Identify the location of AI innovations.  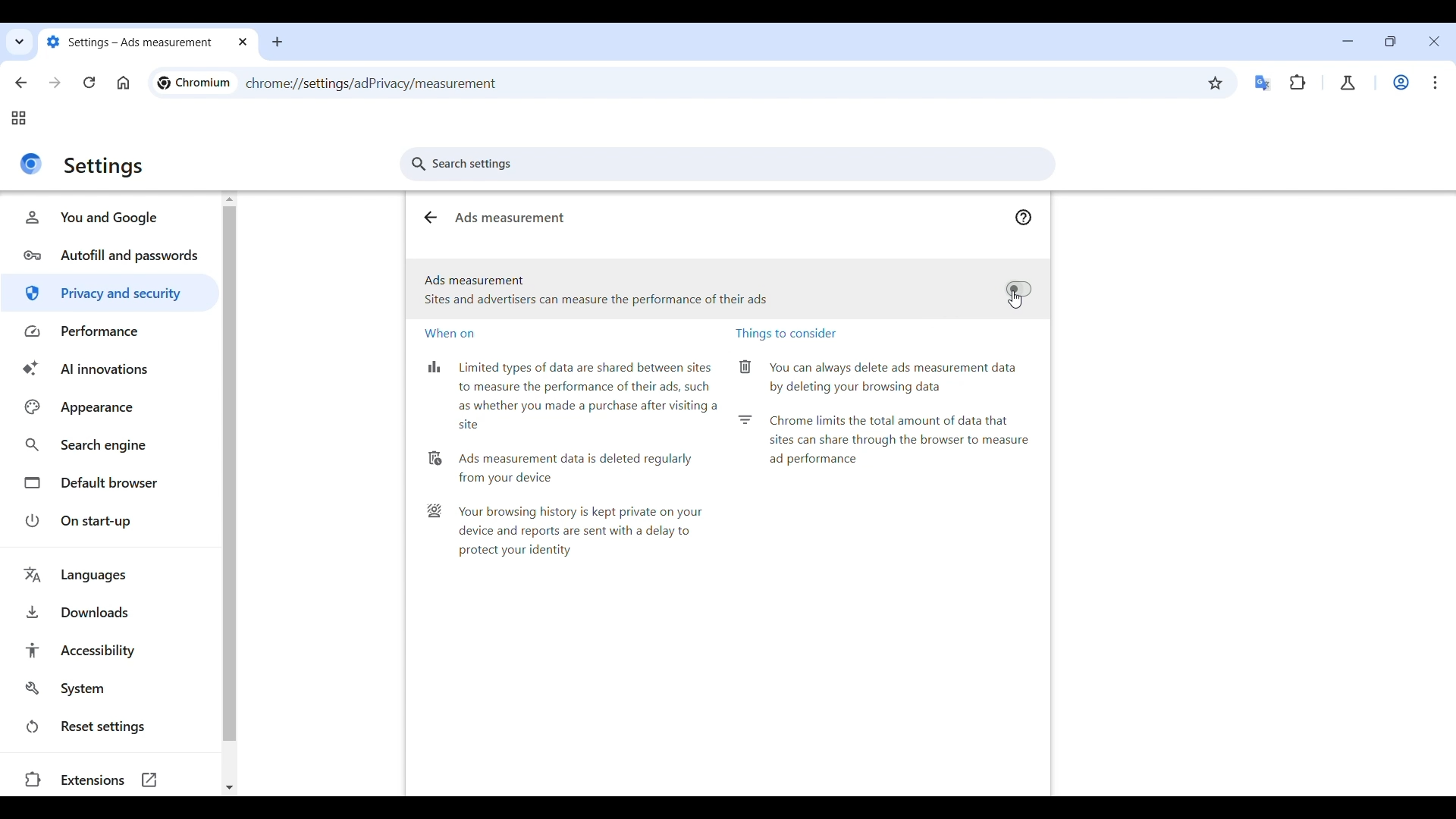
(109, 369).